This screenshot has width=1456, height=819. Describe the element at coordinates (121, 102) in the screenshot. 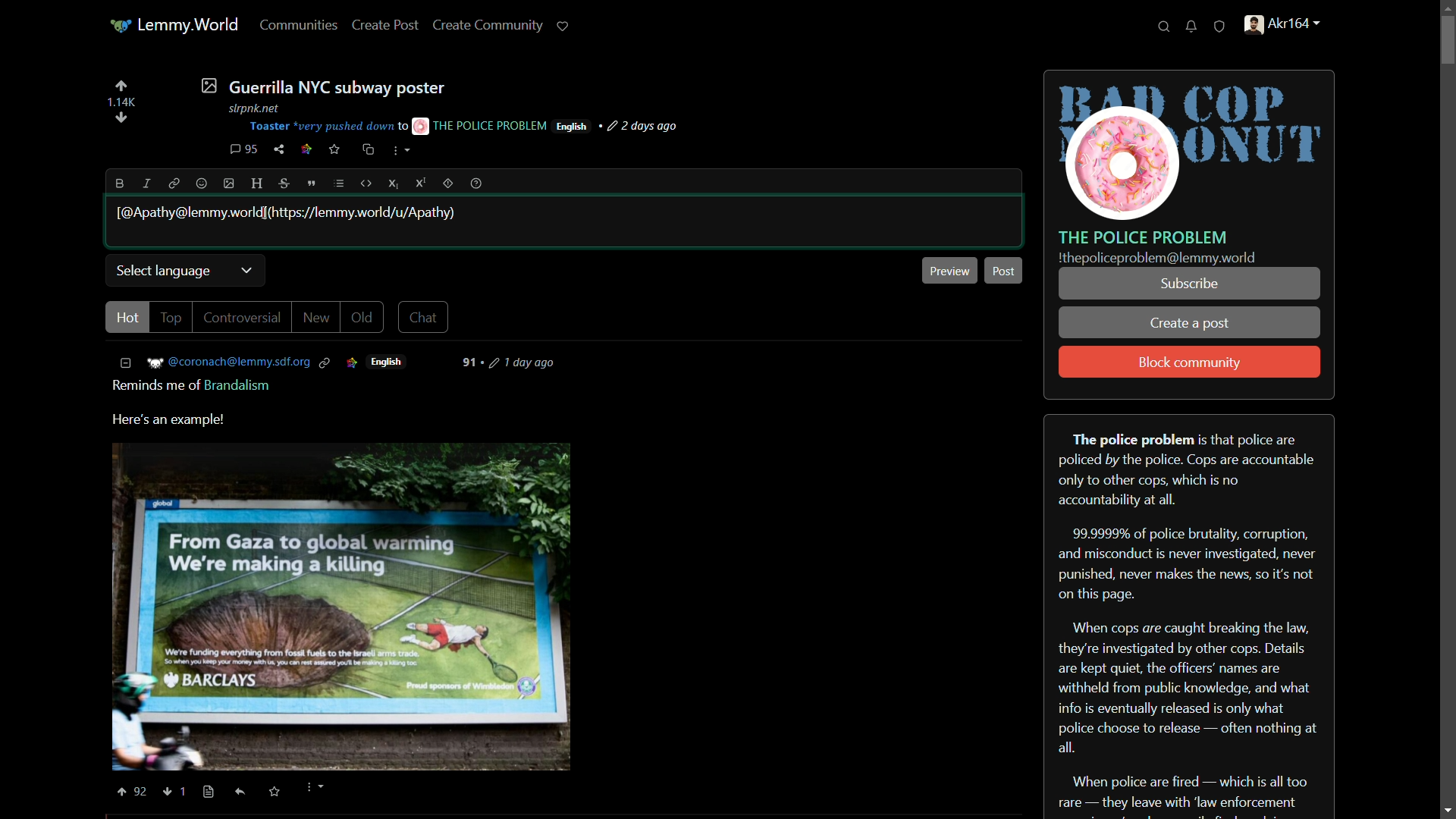

I see `number of votes` at that location.